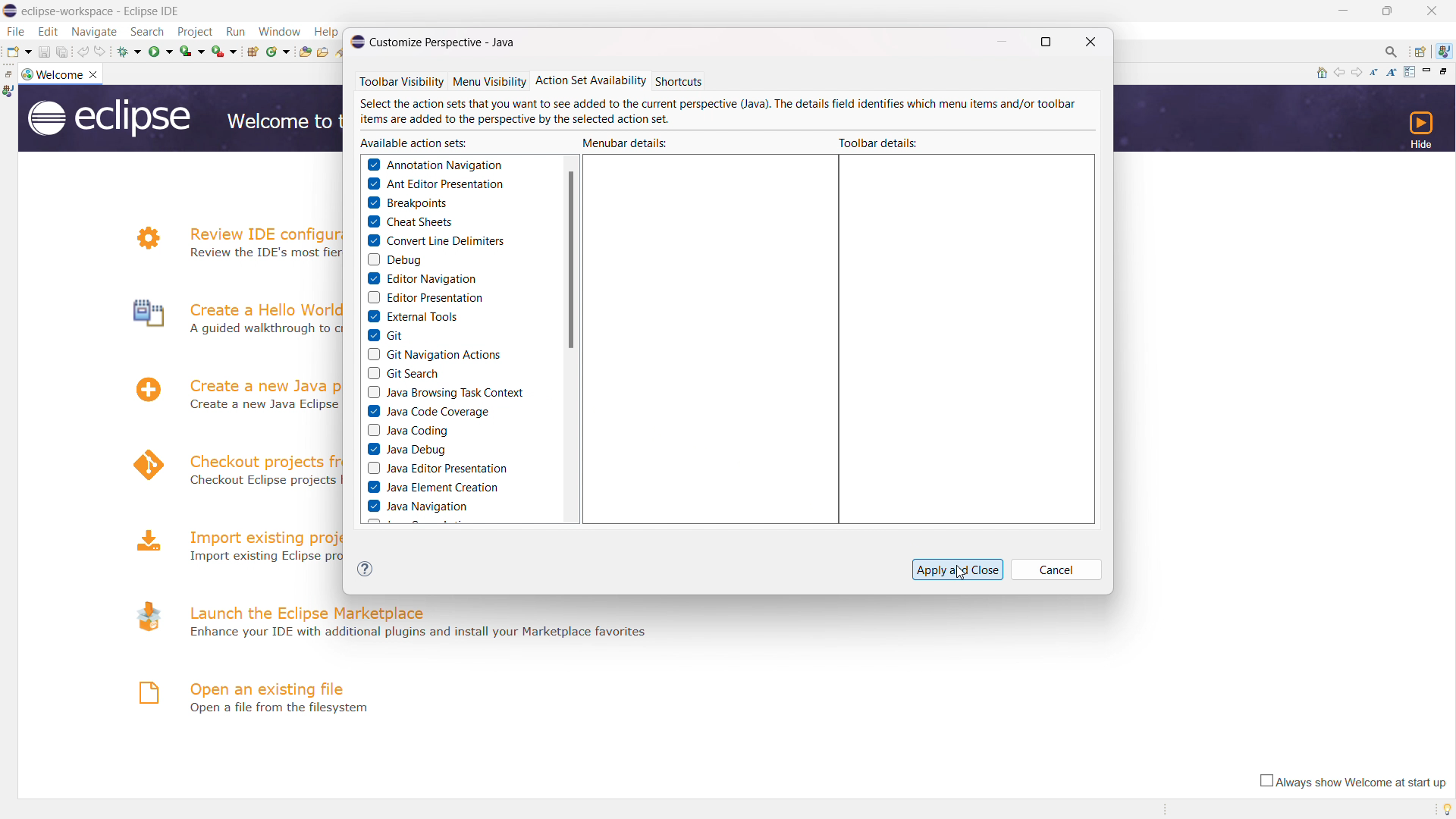  Describe the element at coordinates (1427, 71) in the screenshot. I see `minimize page` at that location.